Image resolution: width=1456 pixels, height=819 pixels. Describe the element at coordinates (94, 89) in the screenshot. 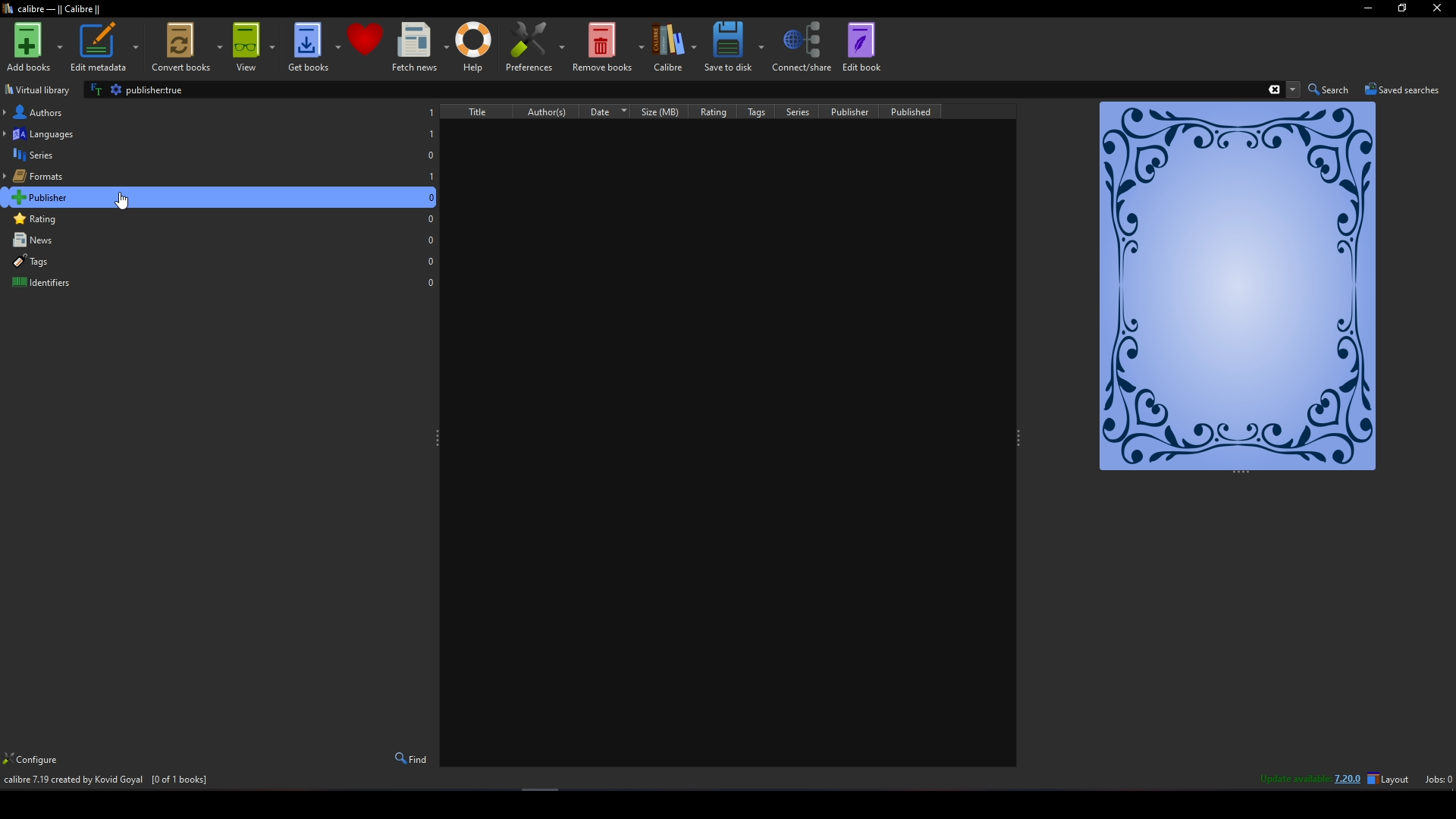

I see `Search full text` at that location.